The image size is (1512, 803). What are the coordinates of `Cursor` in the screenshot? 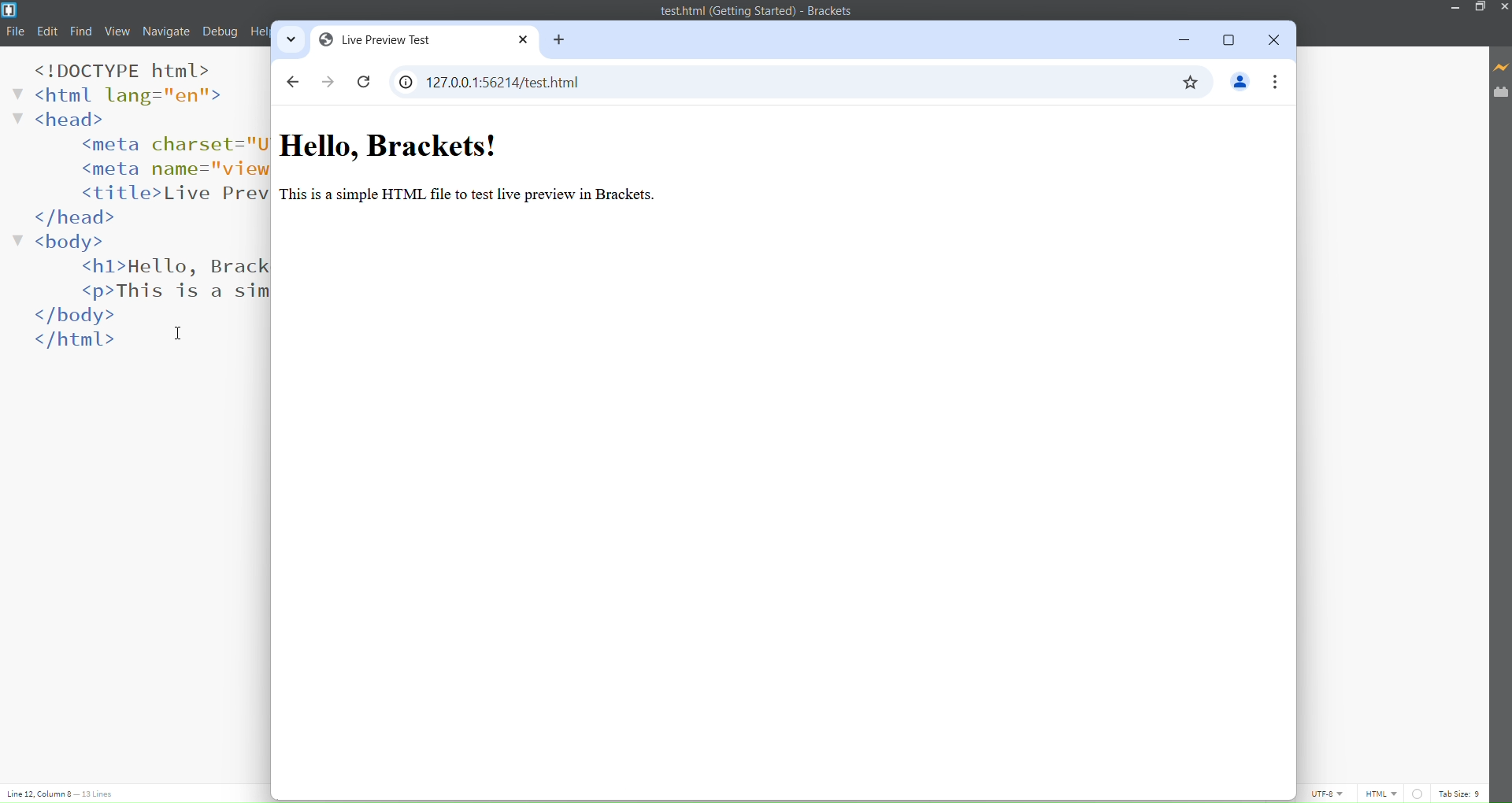 It's located at (179, 331).